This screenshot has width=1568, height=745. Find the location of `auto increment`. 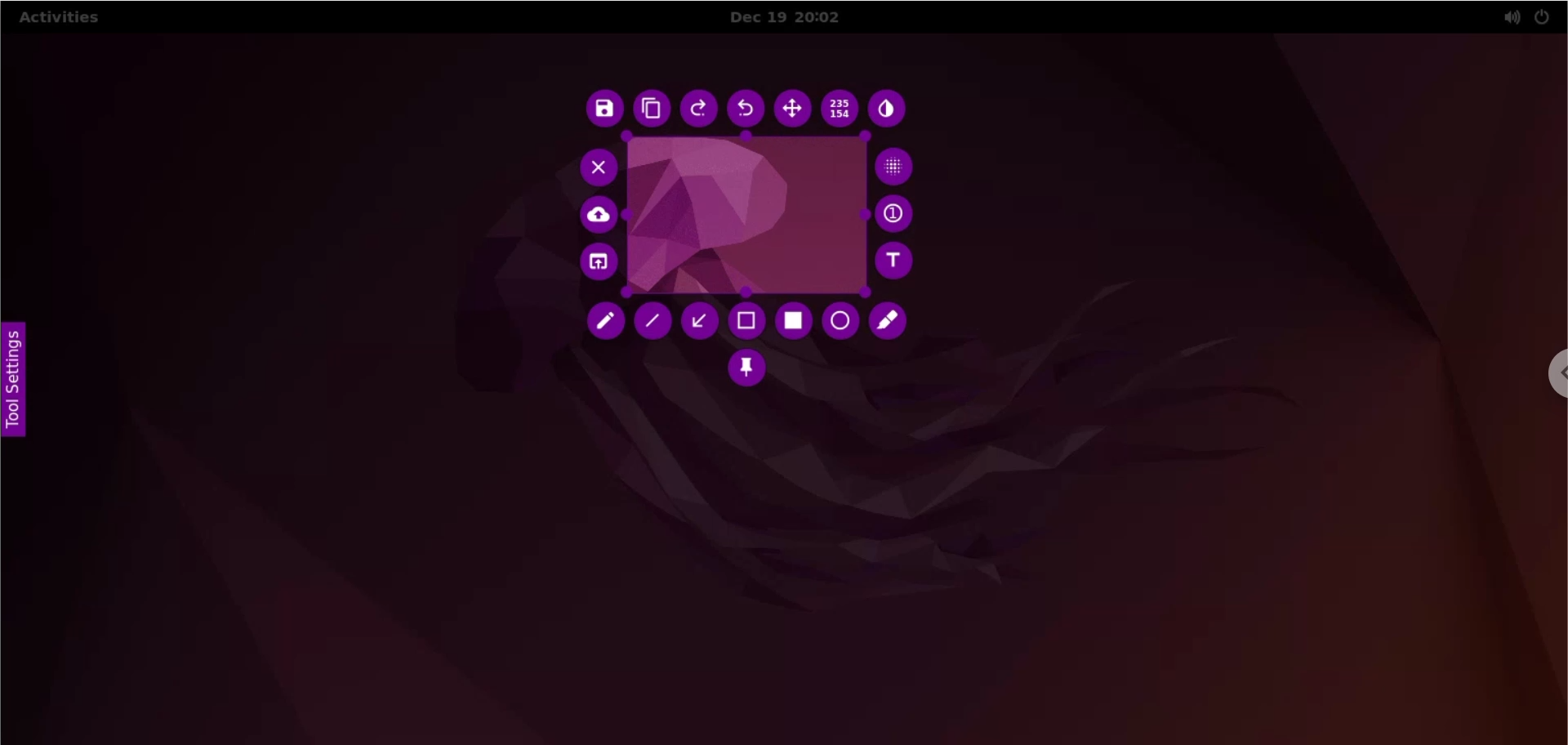

auto increment is located at coordinates (899, 214).